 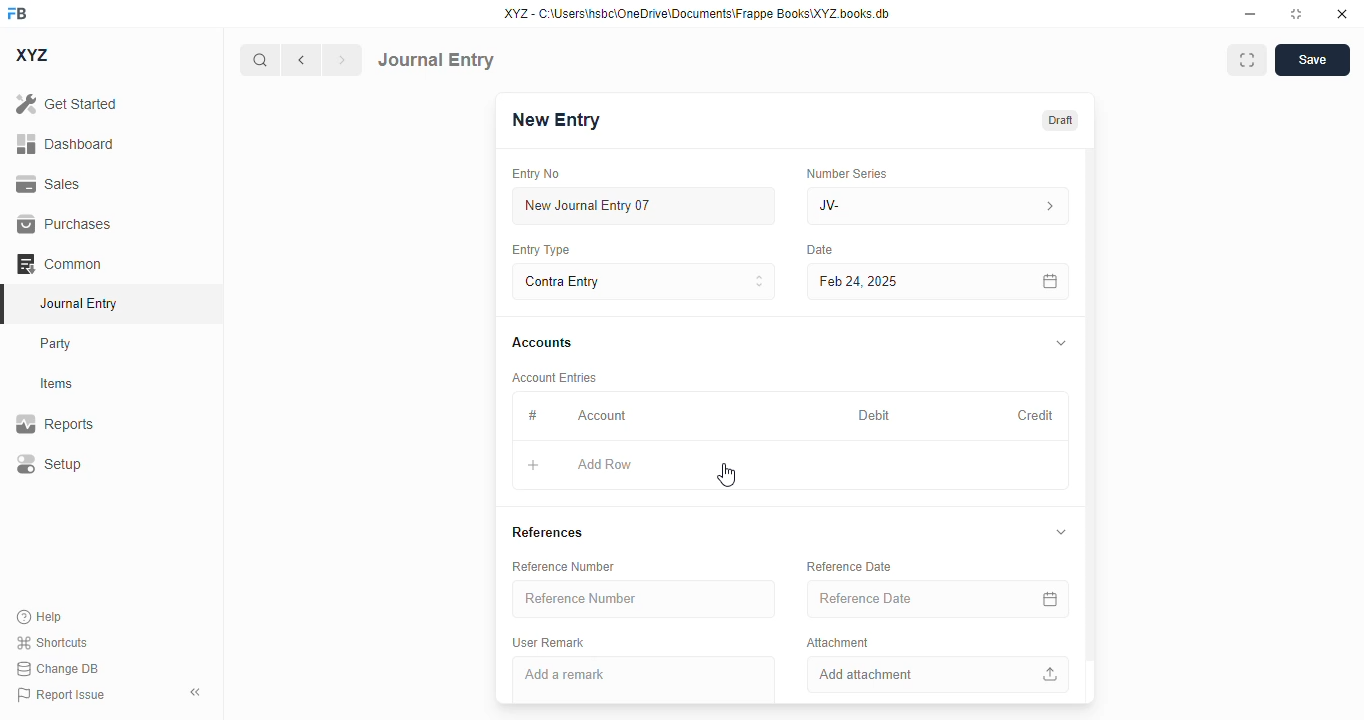 I want to click on reference number, so click(x=564, y=566).